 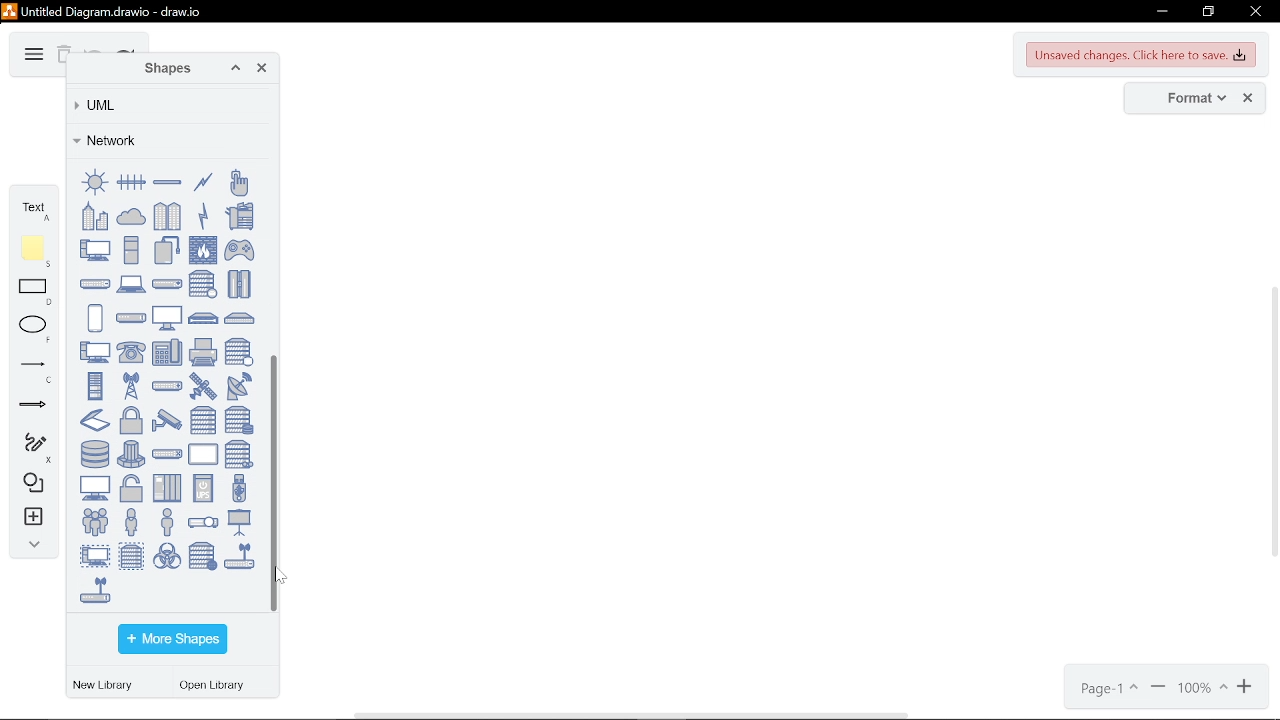 I want to click on UPS small, so click(x=203, y=487).